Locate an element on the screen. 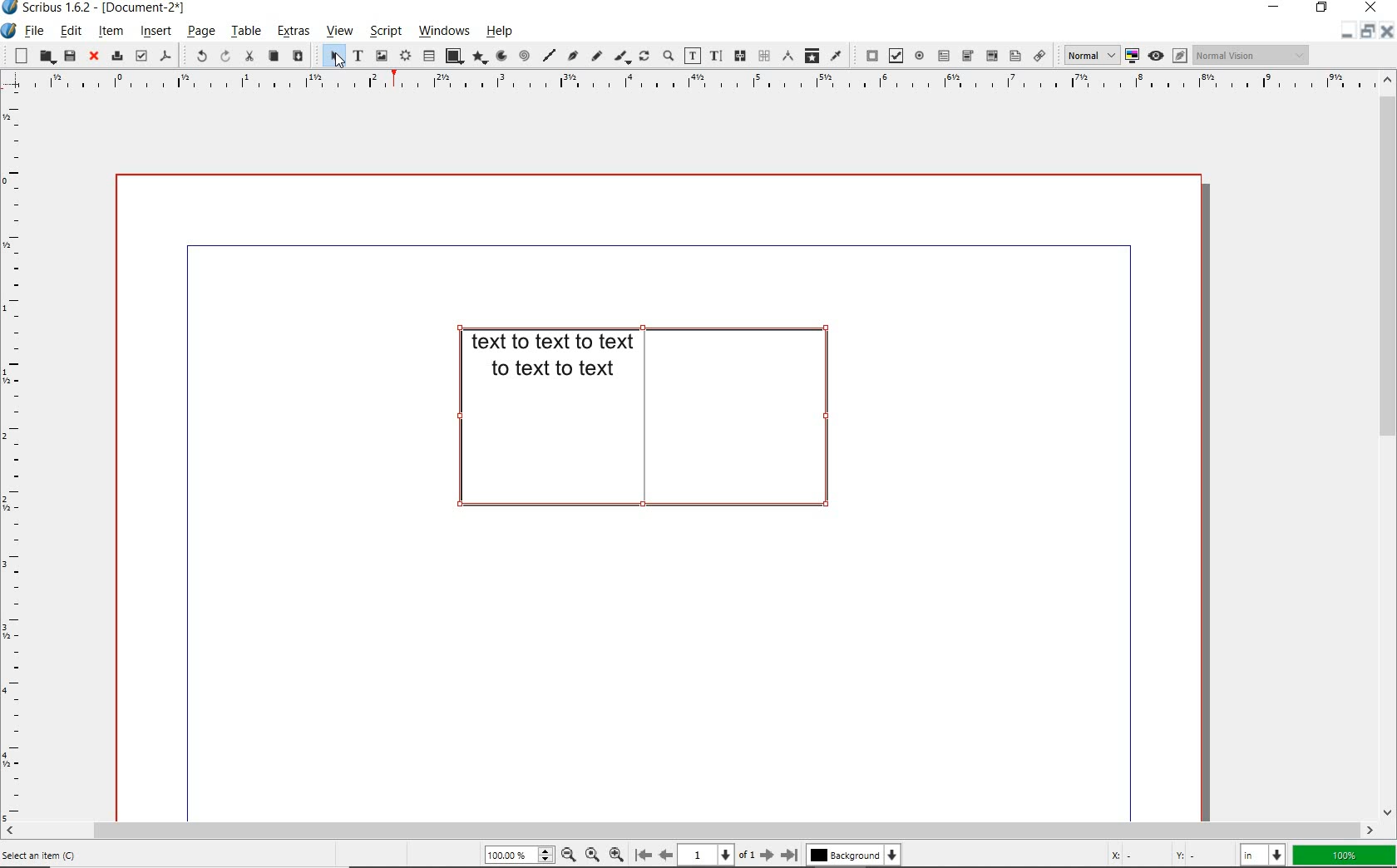 The width and height of the screenshot is (1397, 868). file is located at coordinates (32, 32).